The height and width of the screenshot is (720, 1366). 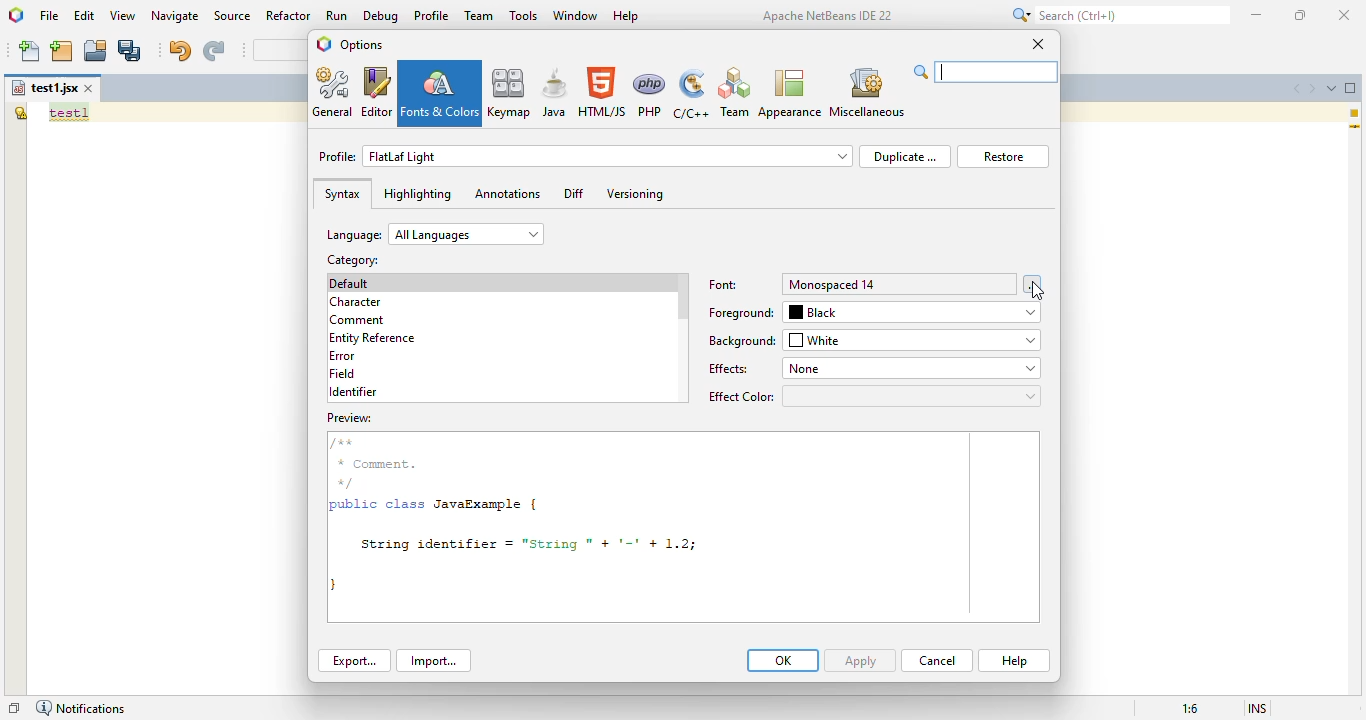 I want to click on close, so click(x=1038, y=44).